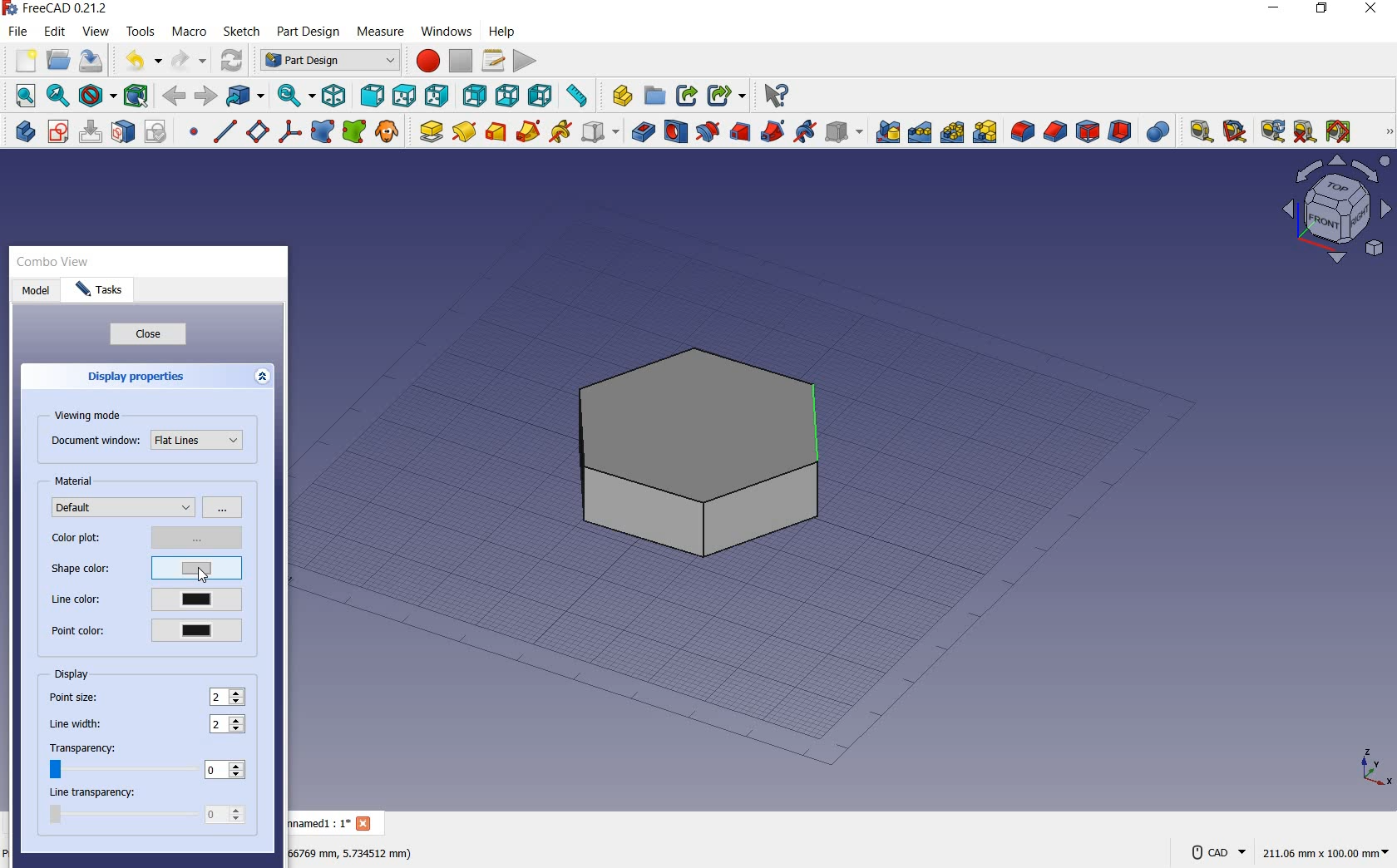 The height and width of the screenshot is (868, 1397). What do you see at coordinates (289, 134) in the screenshot?
I see `create a local coordinate system` at bounding box center [289, 134].